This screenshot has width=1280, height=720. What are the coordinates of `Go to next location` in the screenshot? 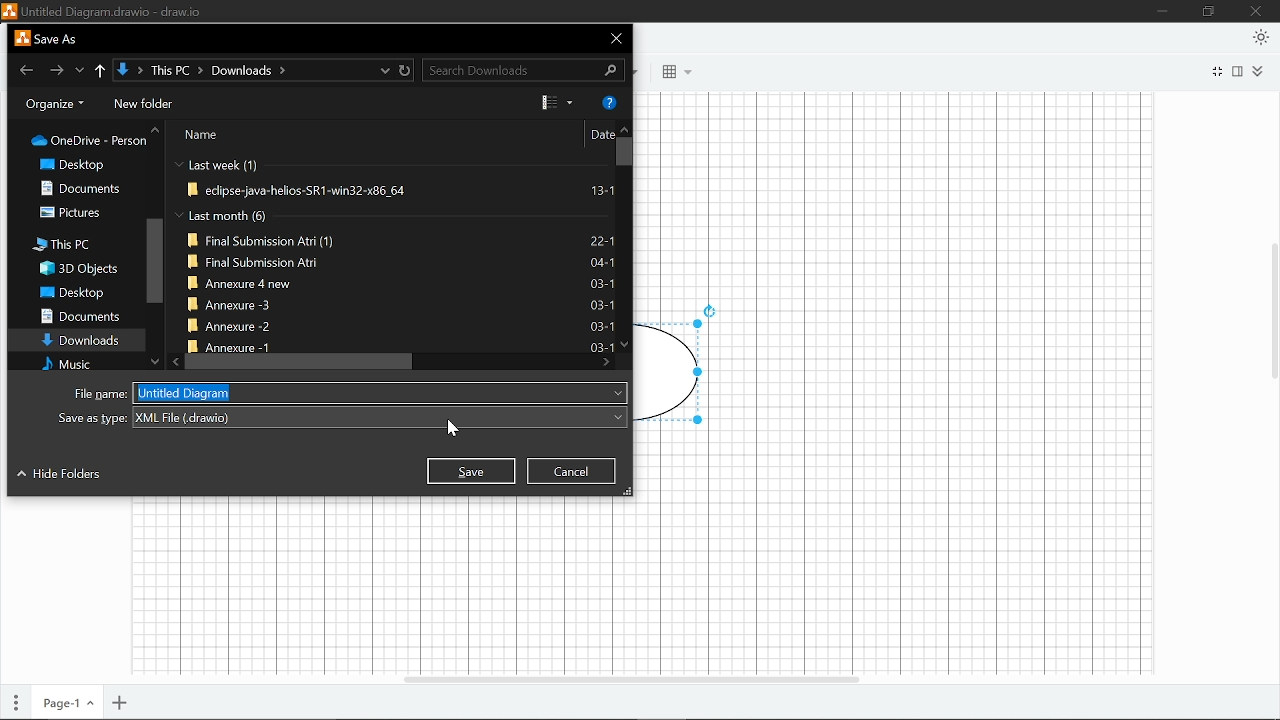 It's located at (55, 70).